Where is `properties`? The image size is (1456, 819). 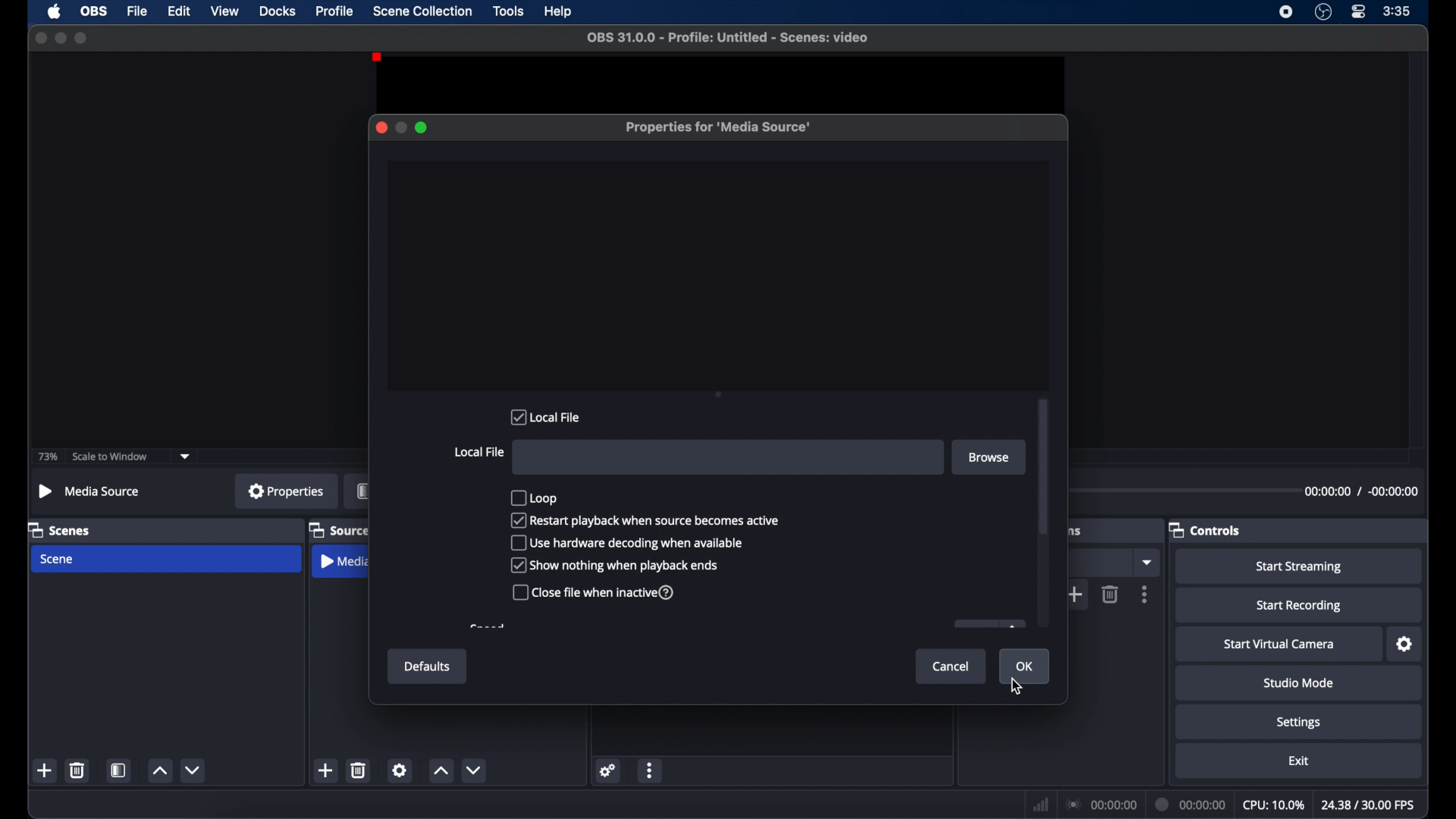
properties is located at coordinates (287, 491).